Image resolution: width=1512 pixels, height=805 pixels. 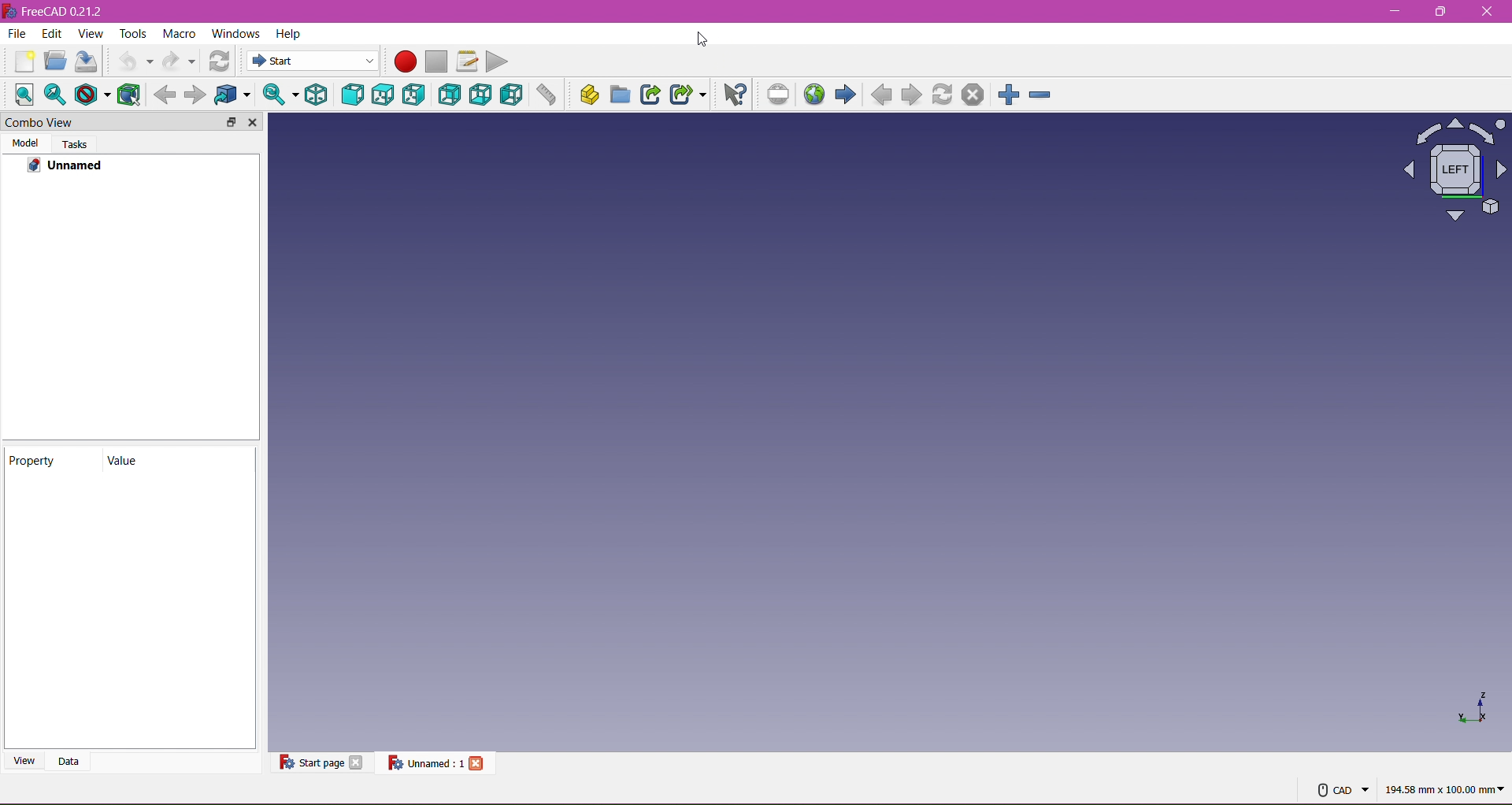 I want to click on Property, so click(x=49, y=459).